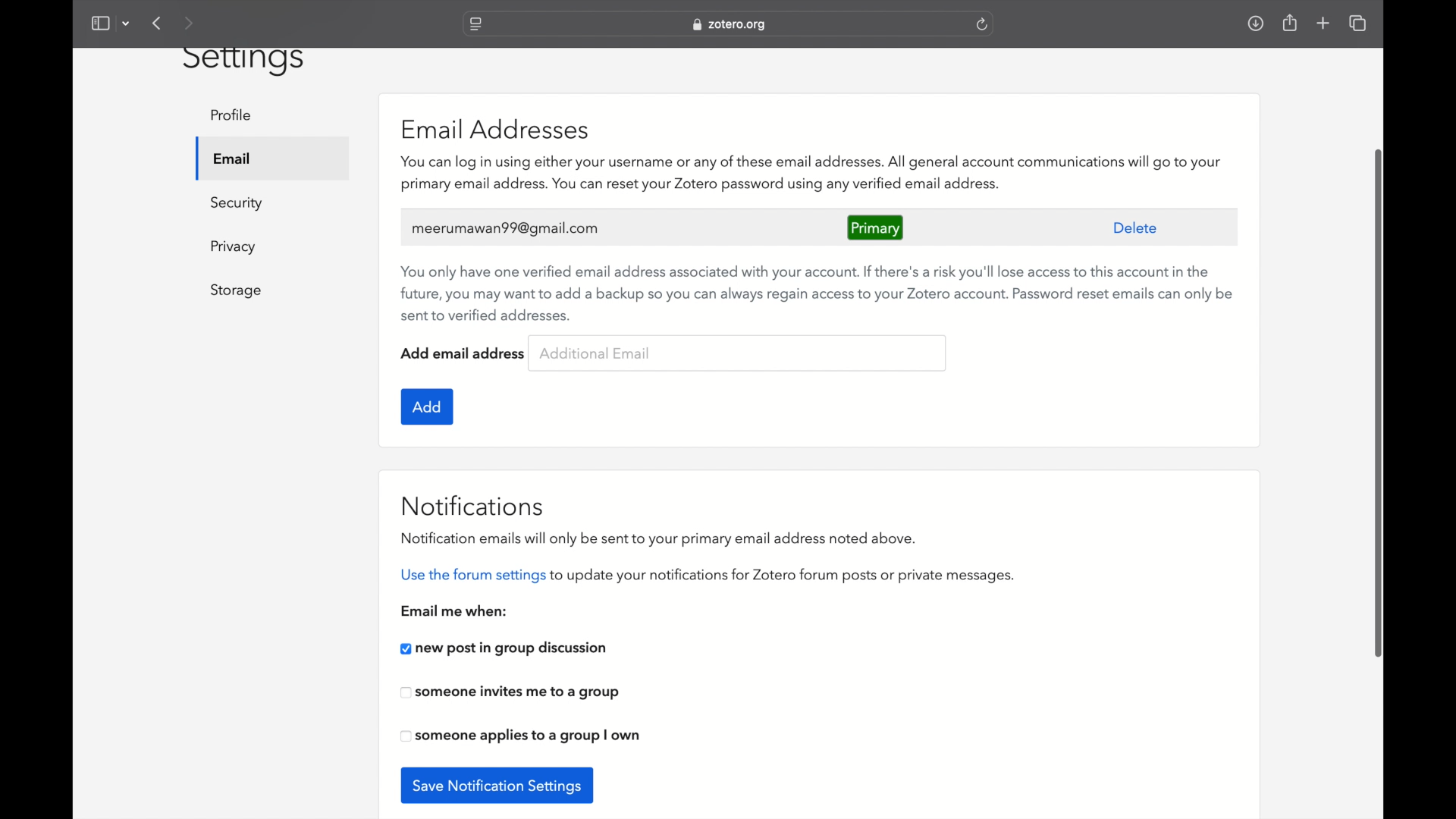 The height and width of the screenshot is (819, 1456). I want to click on show tab overview, so click(1357, 23).